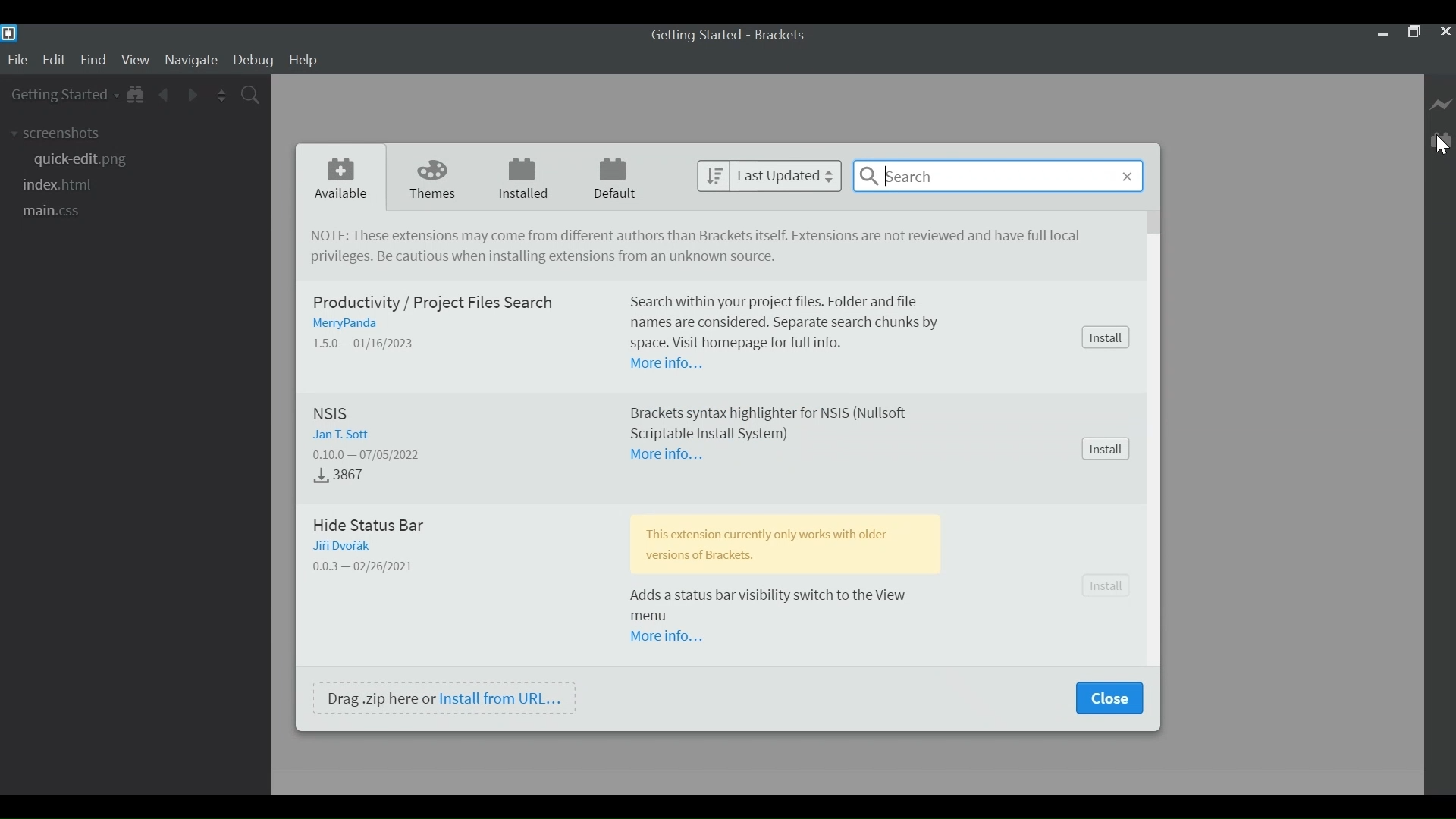 Image resolution: width=1456 pixels, height=819 pixels. What do you see at coordinates (663, 635) in the screenshot?
I see `More Information` at bounding box center [663, 635].